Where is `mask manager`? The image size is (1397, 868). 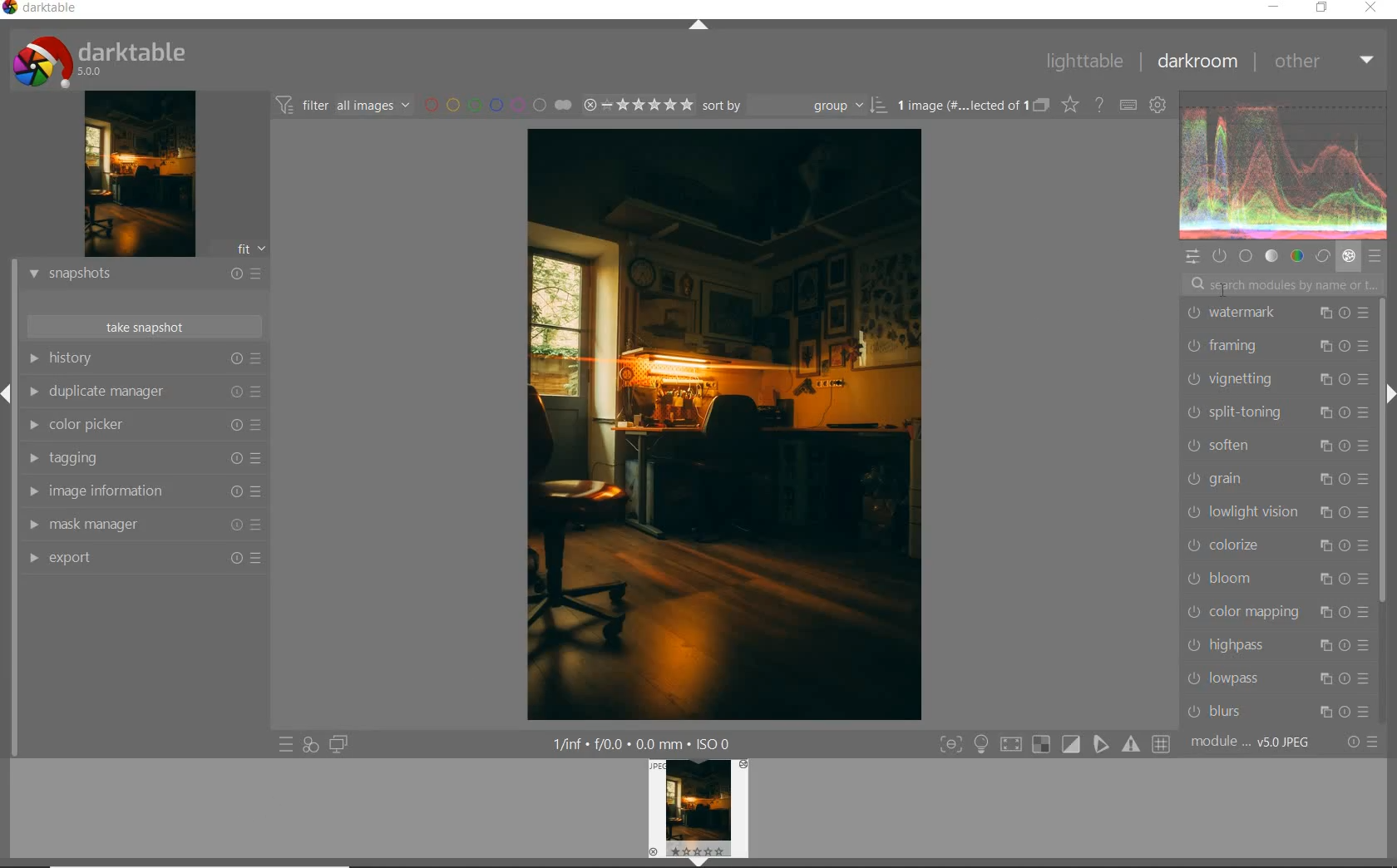
mask manager is located at coordinates (141, 526).